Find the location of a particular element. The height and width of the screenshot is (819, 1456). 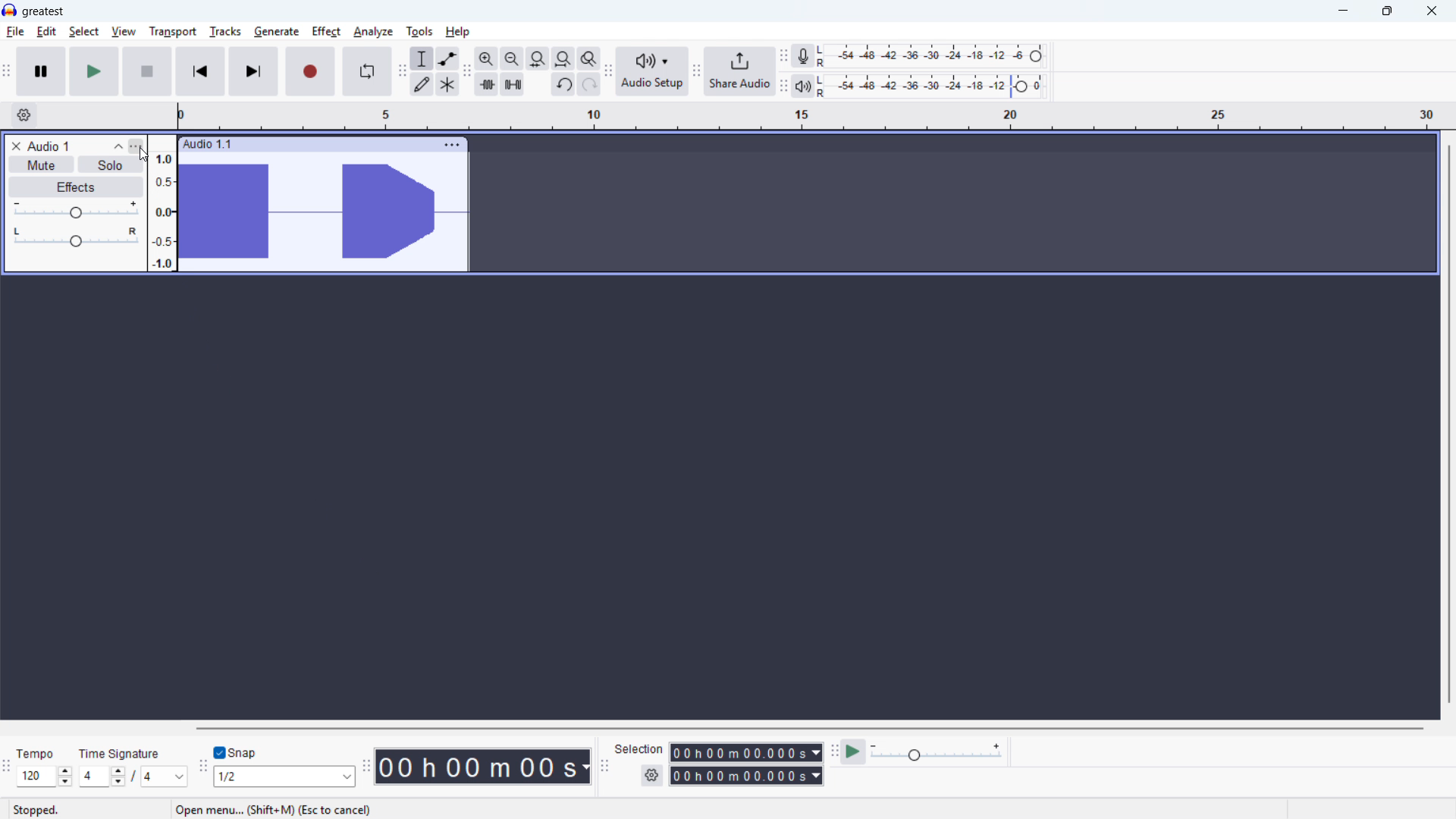

fit selection to width is located at coordinates (512, 58).